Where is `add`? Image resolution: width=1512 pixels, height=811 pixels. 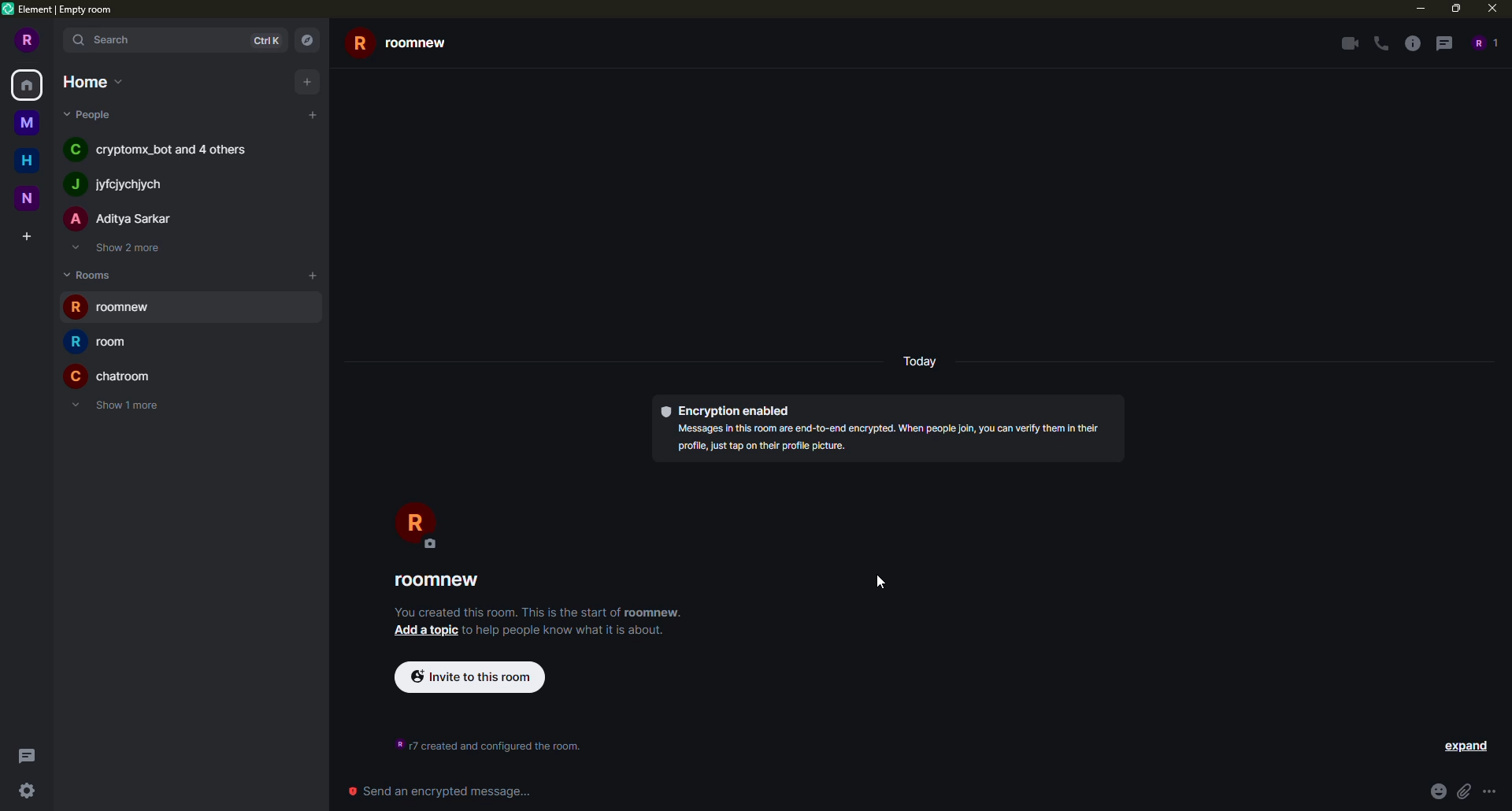
add is located at coordinates (309, 82).